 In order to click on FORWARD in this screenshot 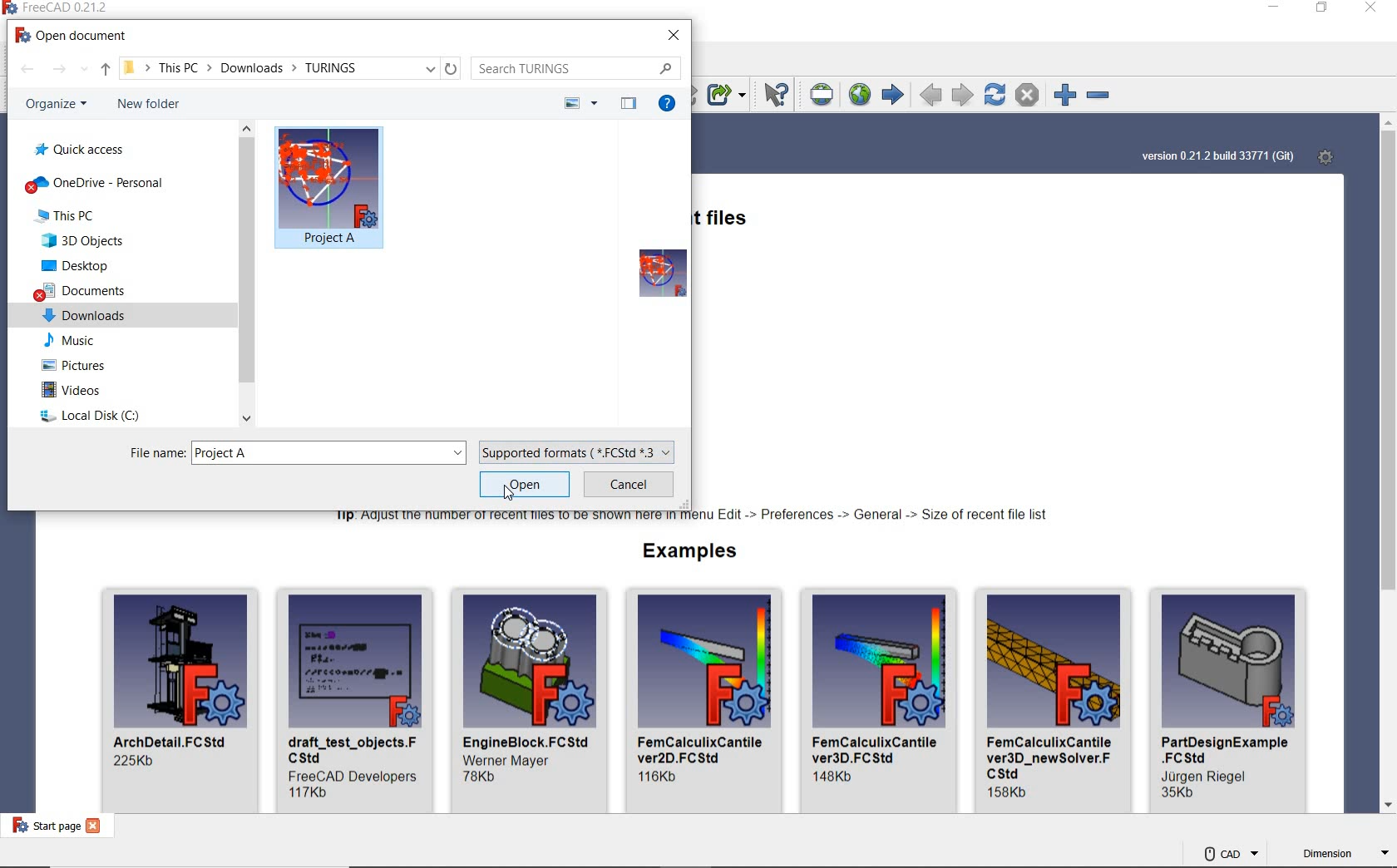, I will do `click(60, 70)`.